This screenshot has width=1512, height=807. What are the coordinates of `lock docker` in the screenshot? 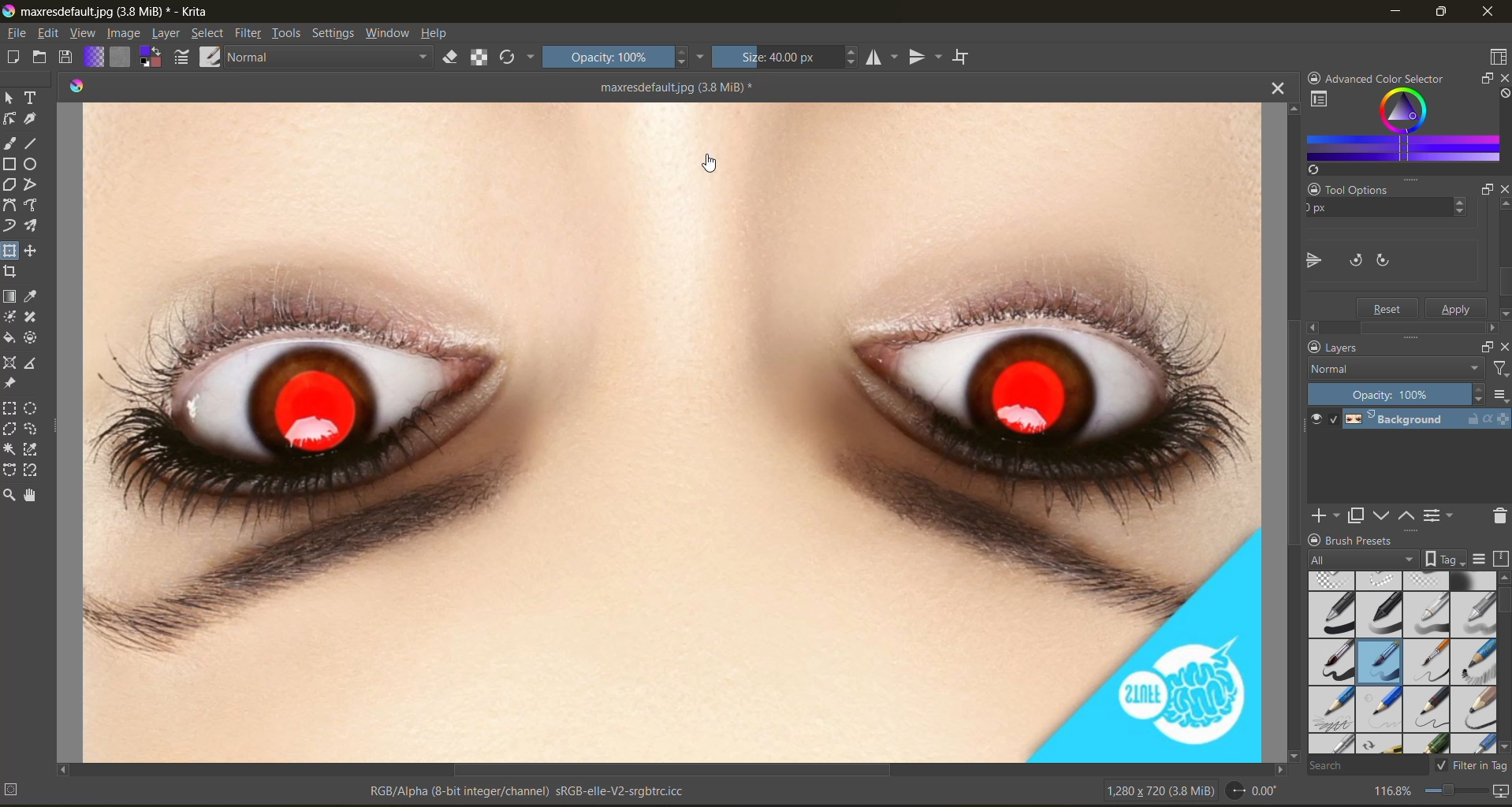 It's located at (1315, 347).